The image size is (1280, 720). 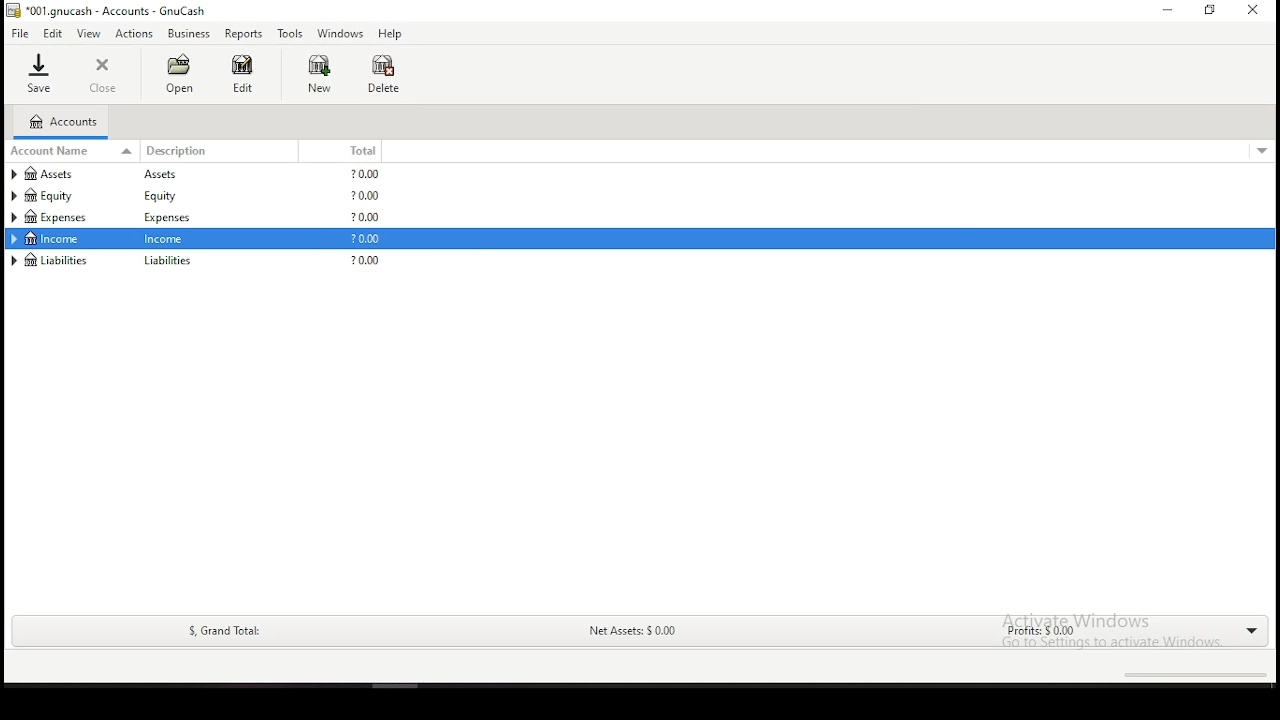 What do you see at coordinates (243, 34) in the screenshot?
I see `reports` at bounding box center [243, 34].